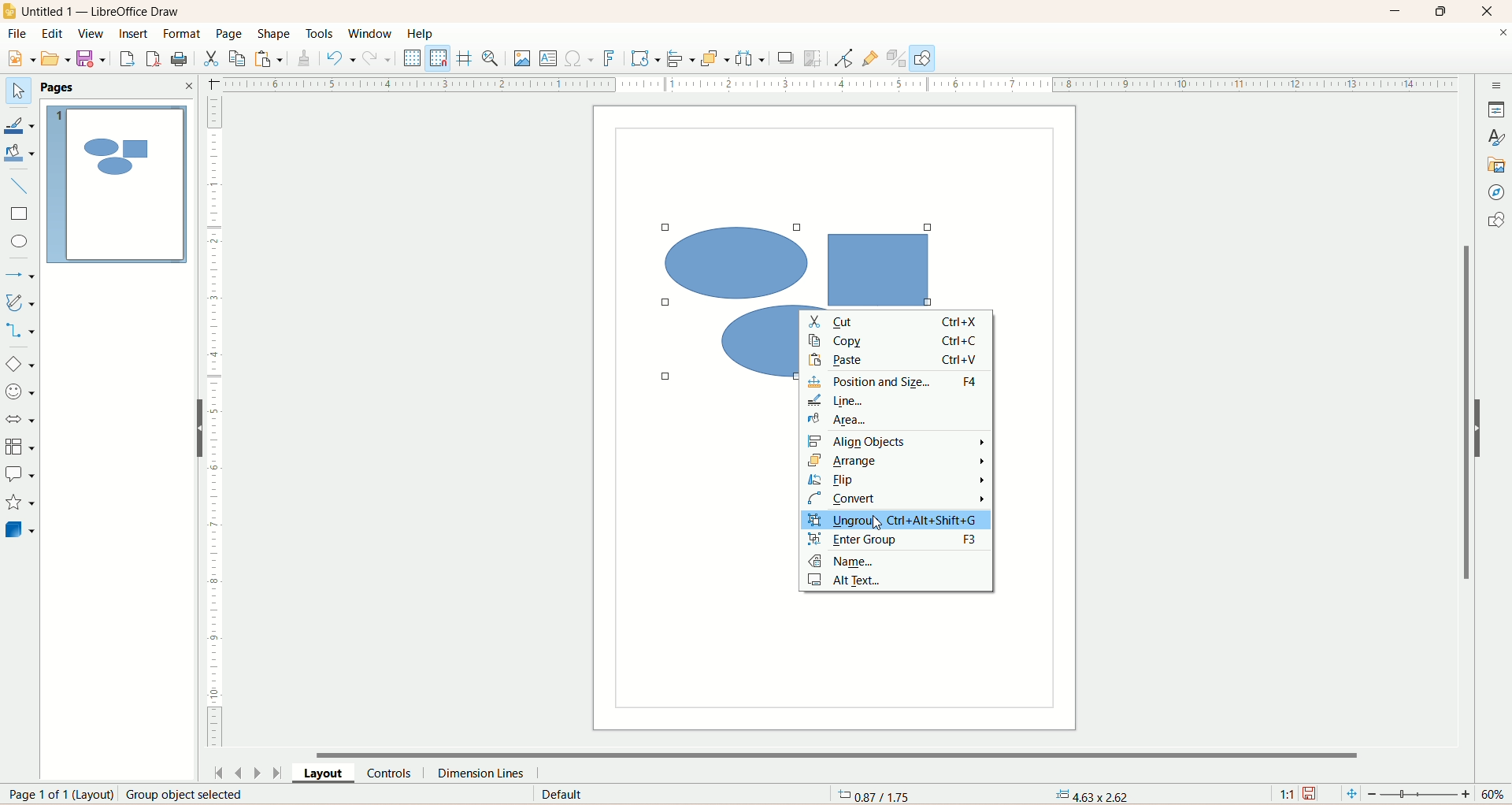 The height and width of the screenshot is (805, 1512). I want to click on coordinates, so click(871, 796).